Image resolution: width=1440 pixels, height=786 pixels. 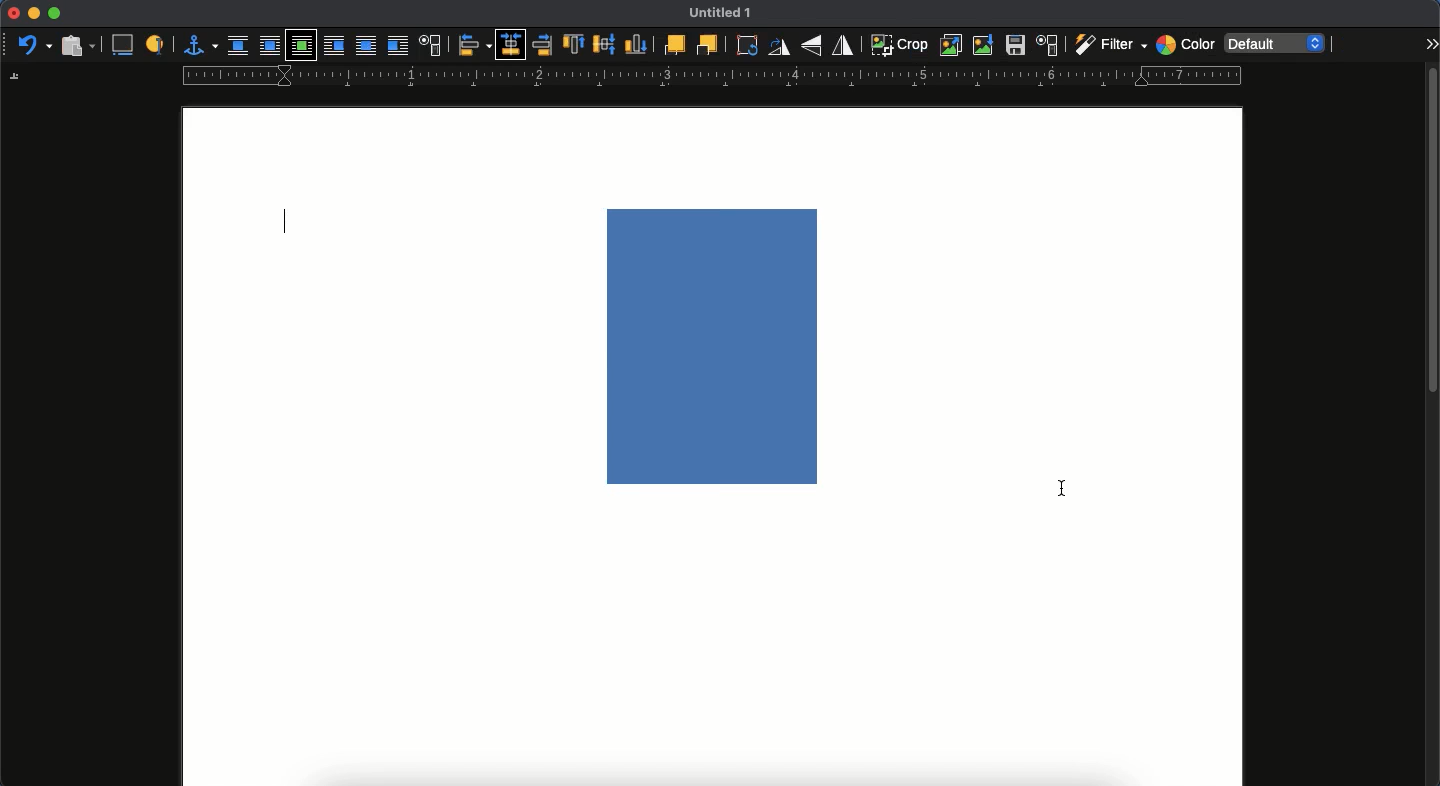 I want to click on untitled 1, so click(x=721, y=12).